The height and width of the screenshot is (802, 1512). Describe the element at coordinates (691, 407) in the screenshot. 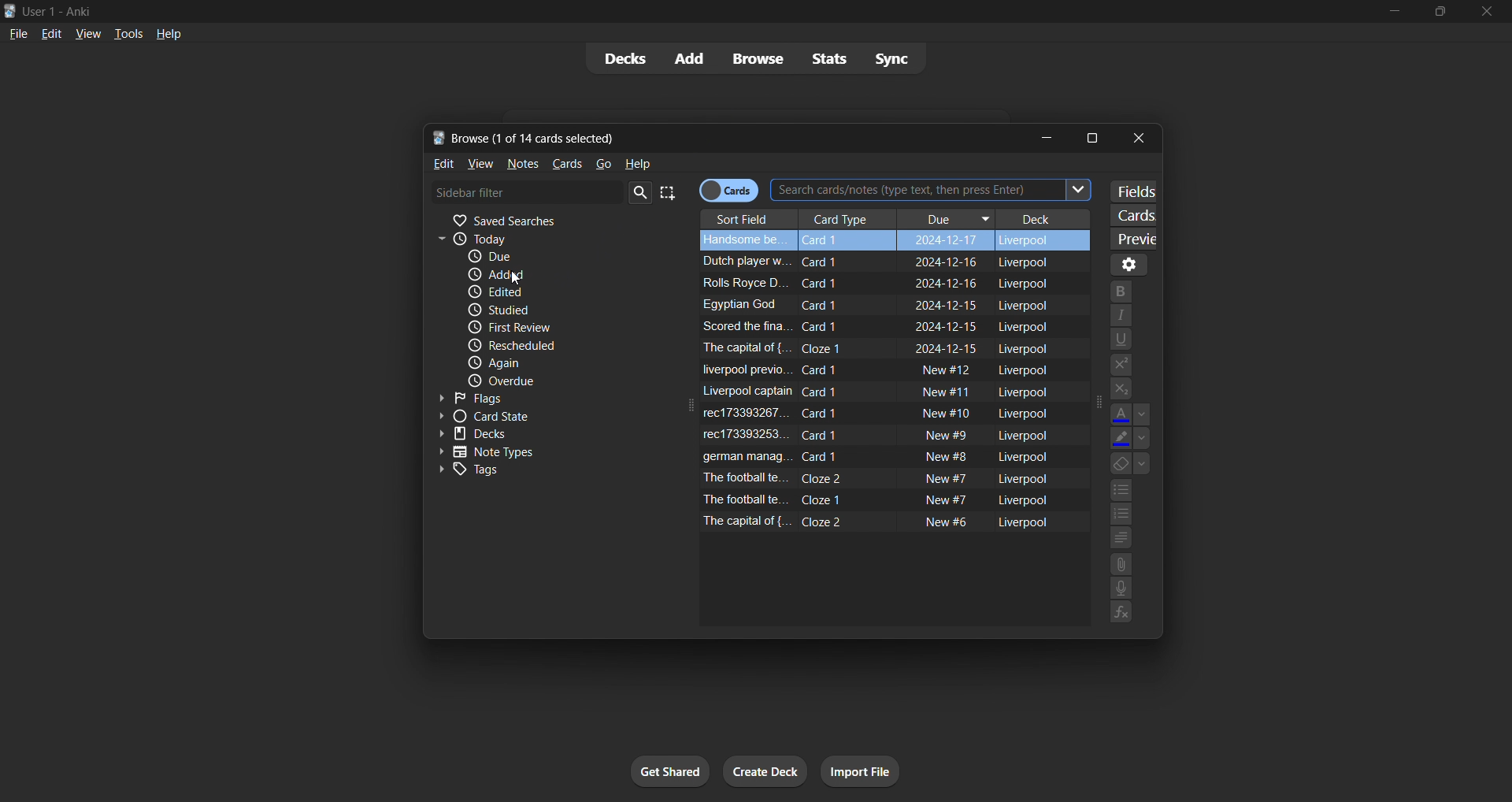

I see `expand icon` at that location.